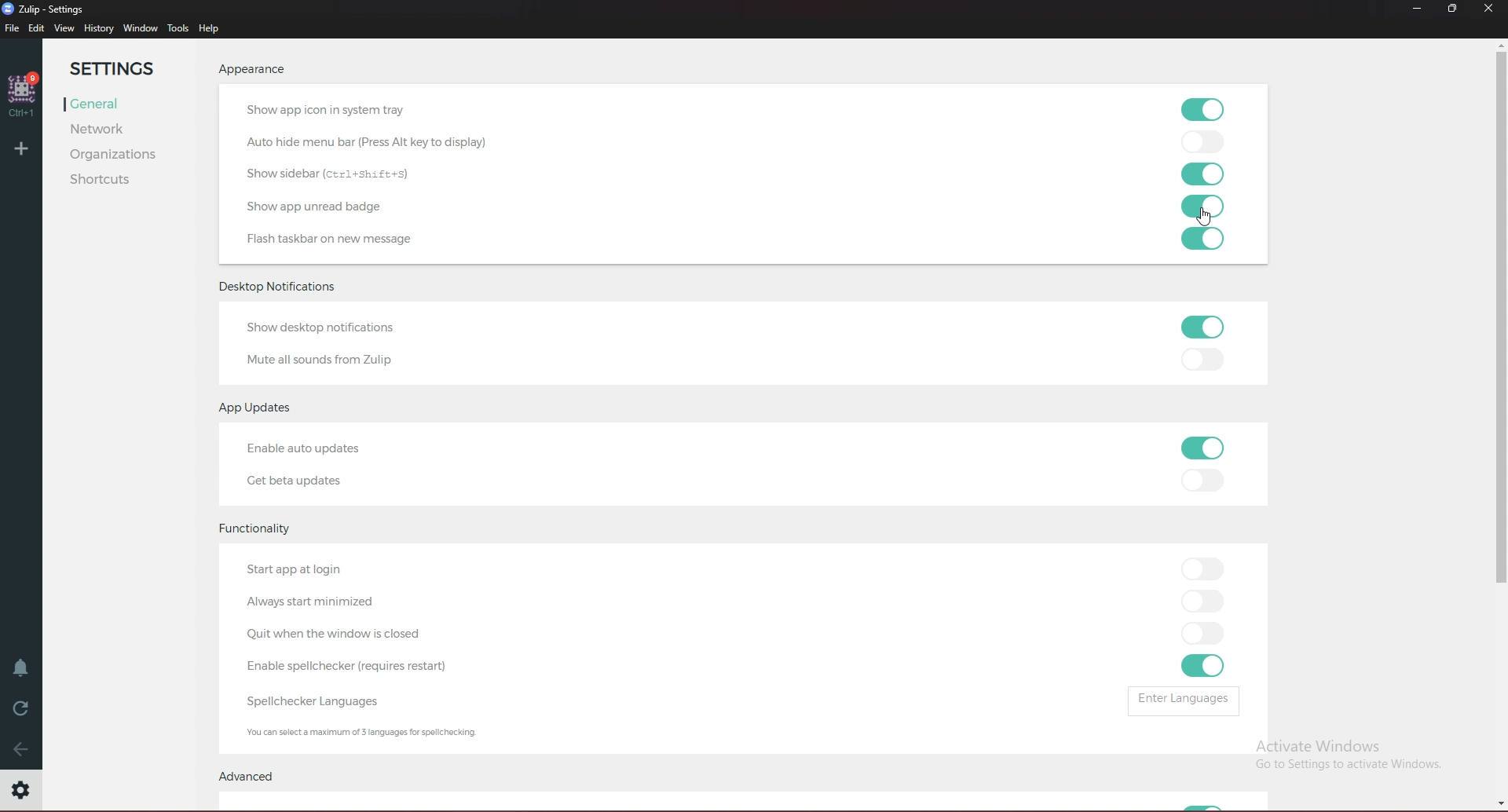 The image size is (1508, 812). I want to click on toggle, so click(1207, 446).